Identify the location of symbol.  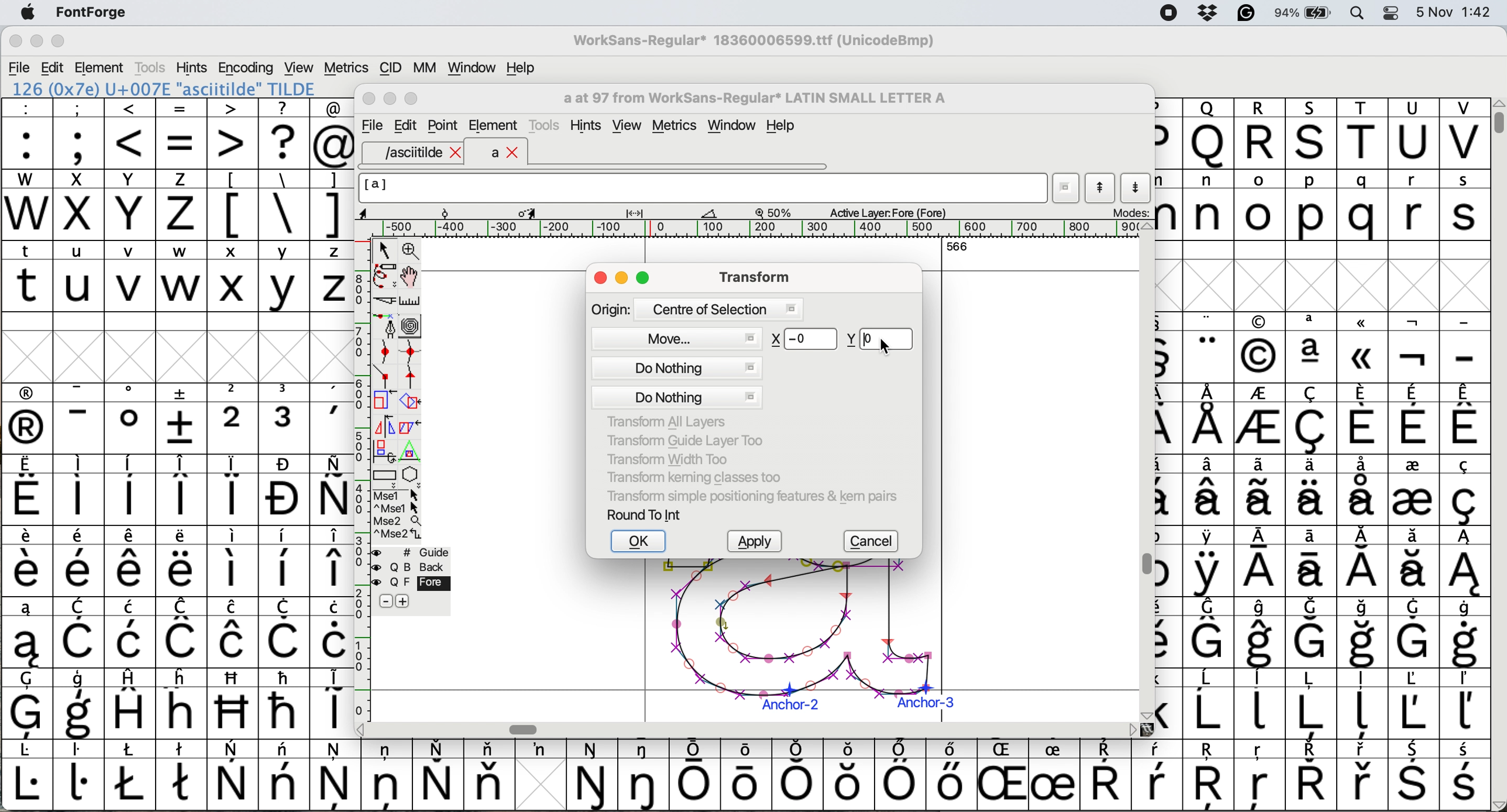
(696, 775).